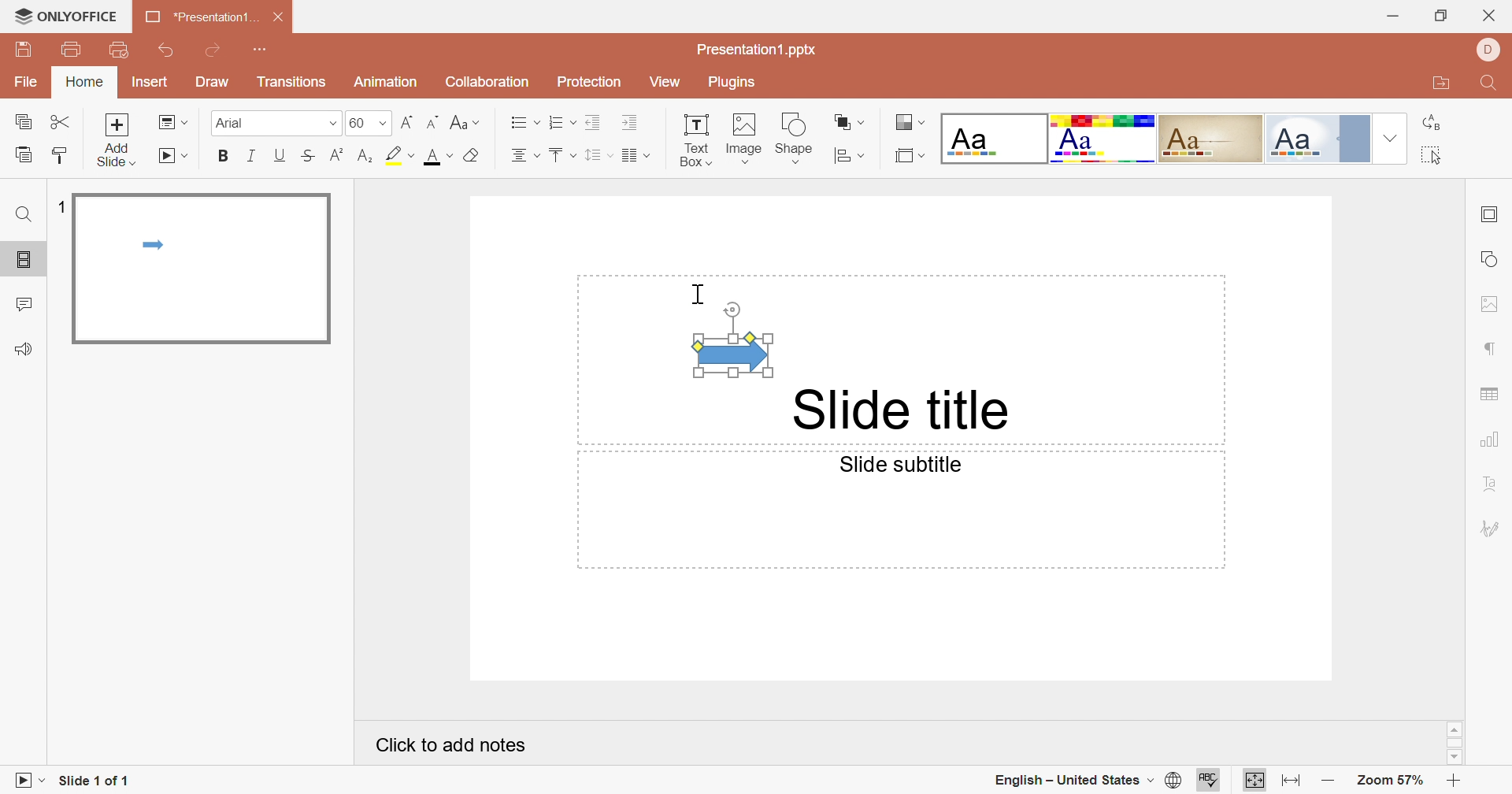 The image size is (1512, 794). I want to click on Subscript, so click(367, 157).